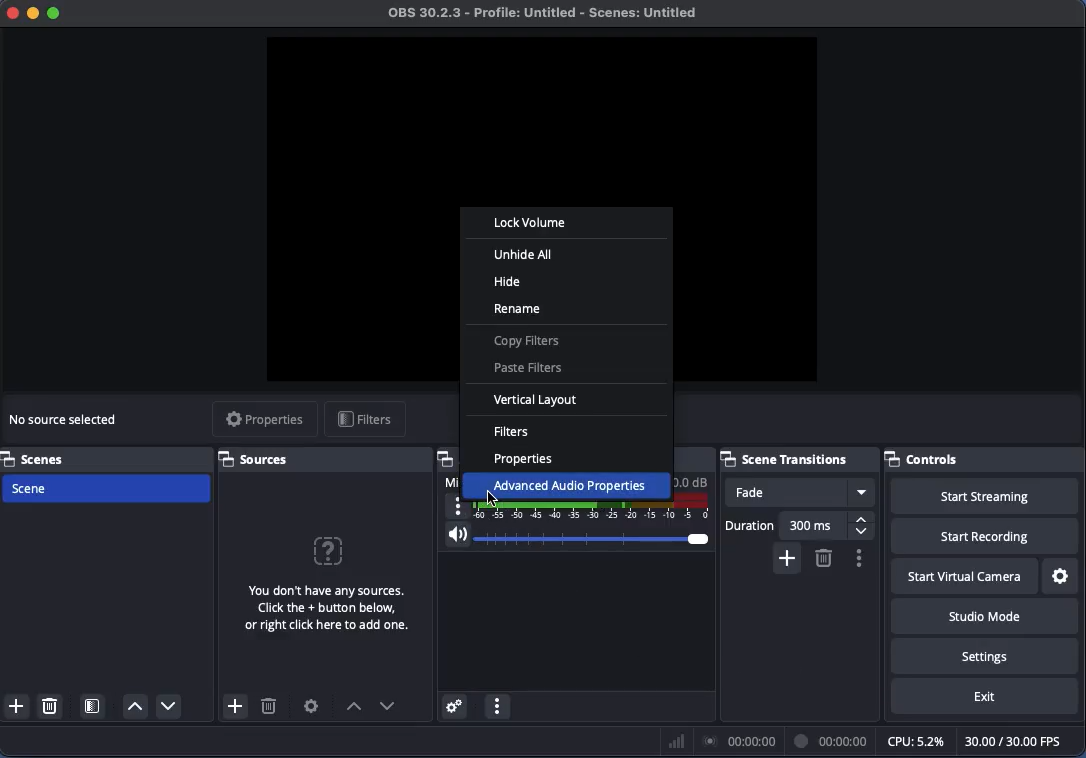  What do you see at coordinates (833, 740) in the screenshot?
I see `Time` at bounding box center [833, 740].